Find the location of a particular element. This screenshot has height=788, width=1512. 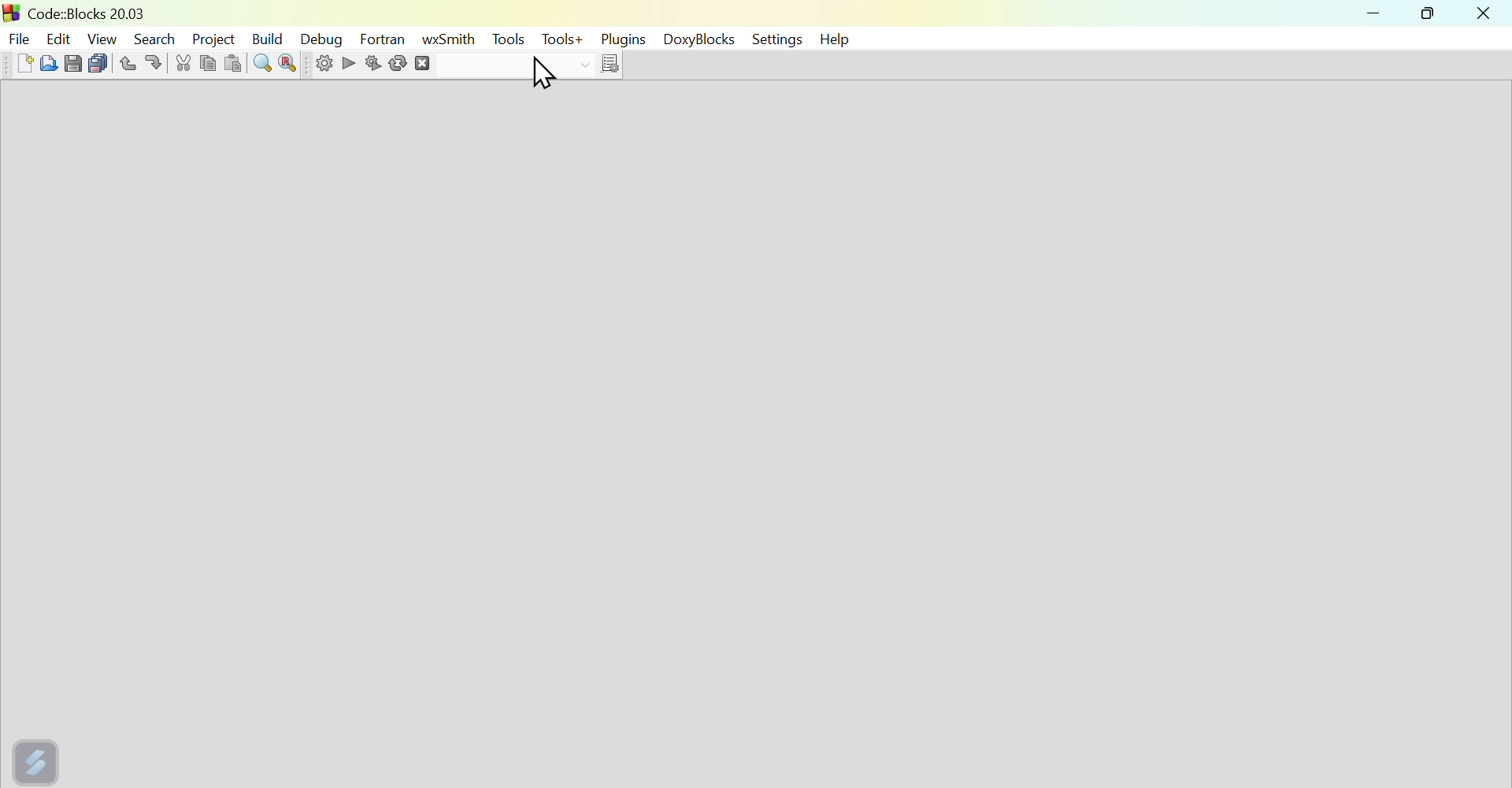

Play is located at coordinates (347, 61).